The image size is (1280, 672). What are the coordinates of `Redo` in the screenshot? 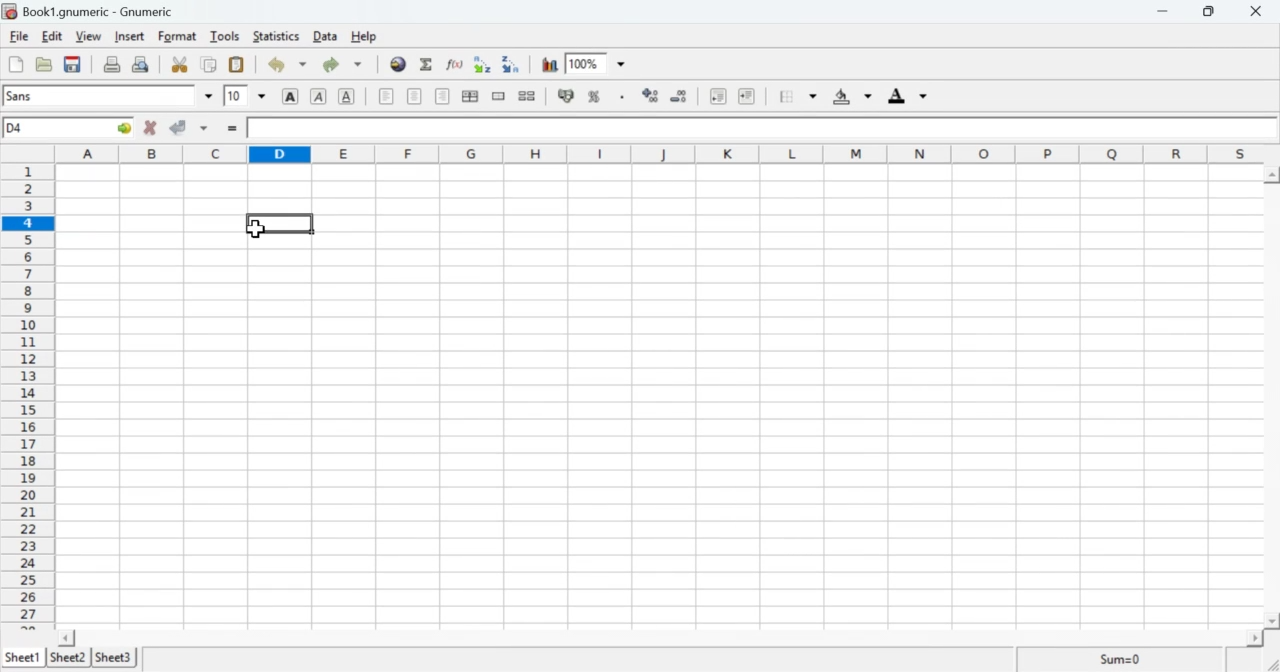 It's located at (346, 64).